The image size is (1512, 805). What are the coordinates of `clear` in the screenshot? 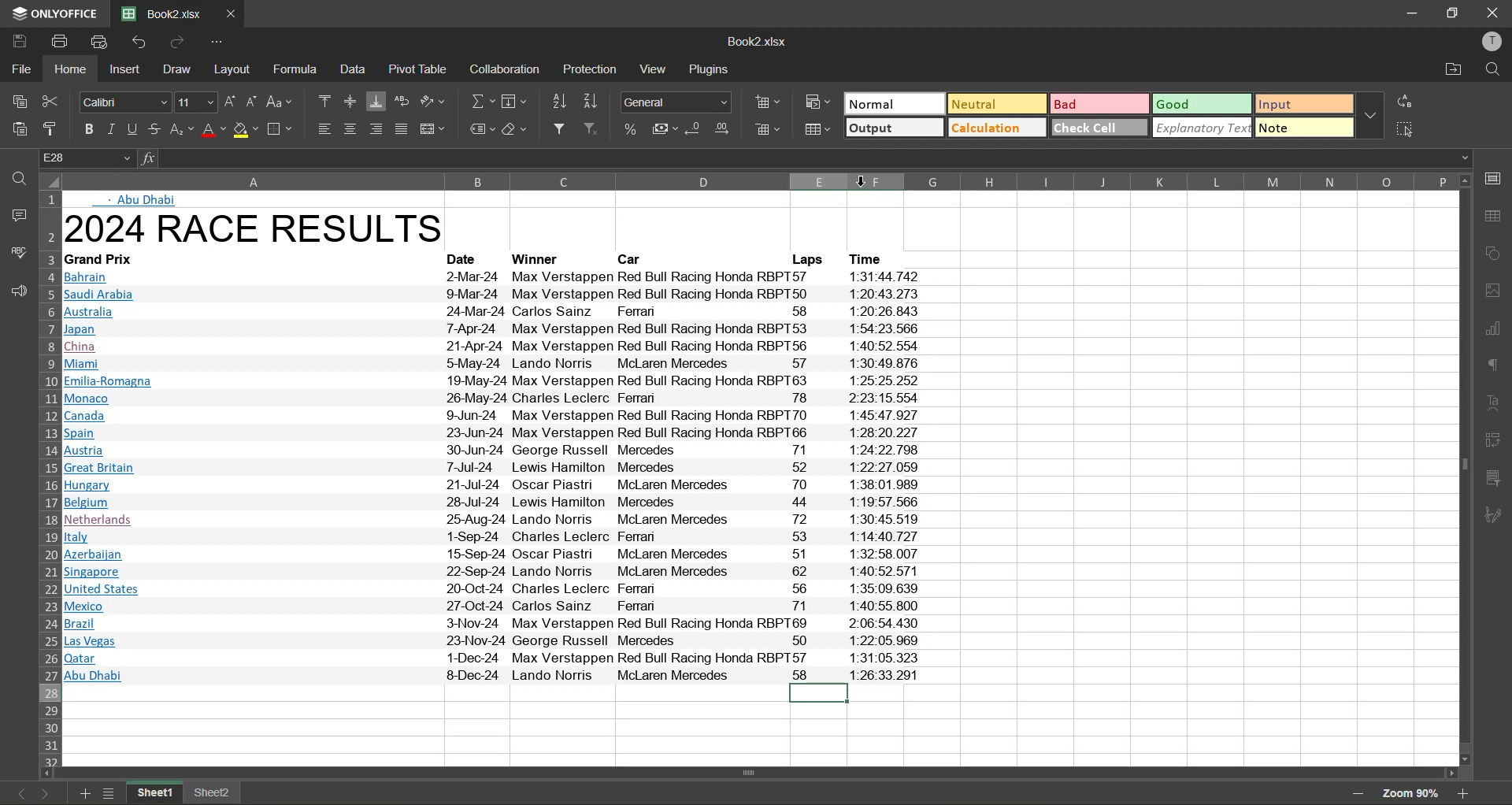 It's located at (517, 128).